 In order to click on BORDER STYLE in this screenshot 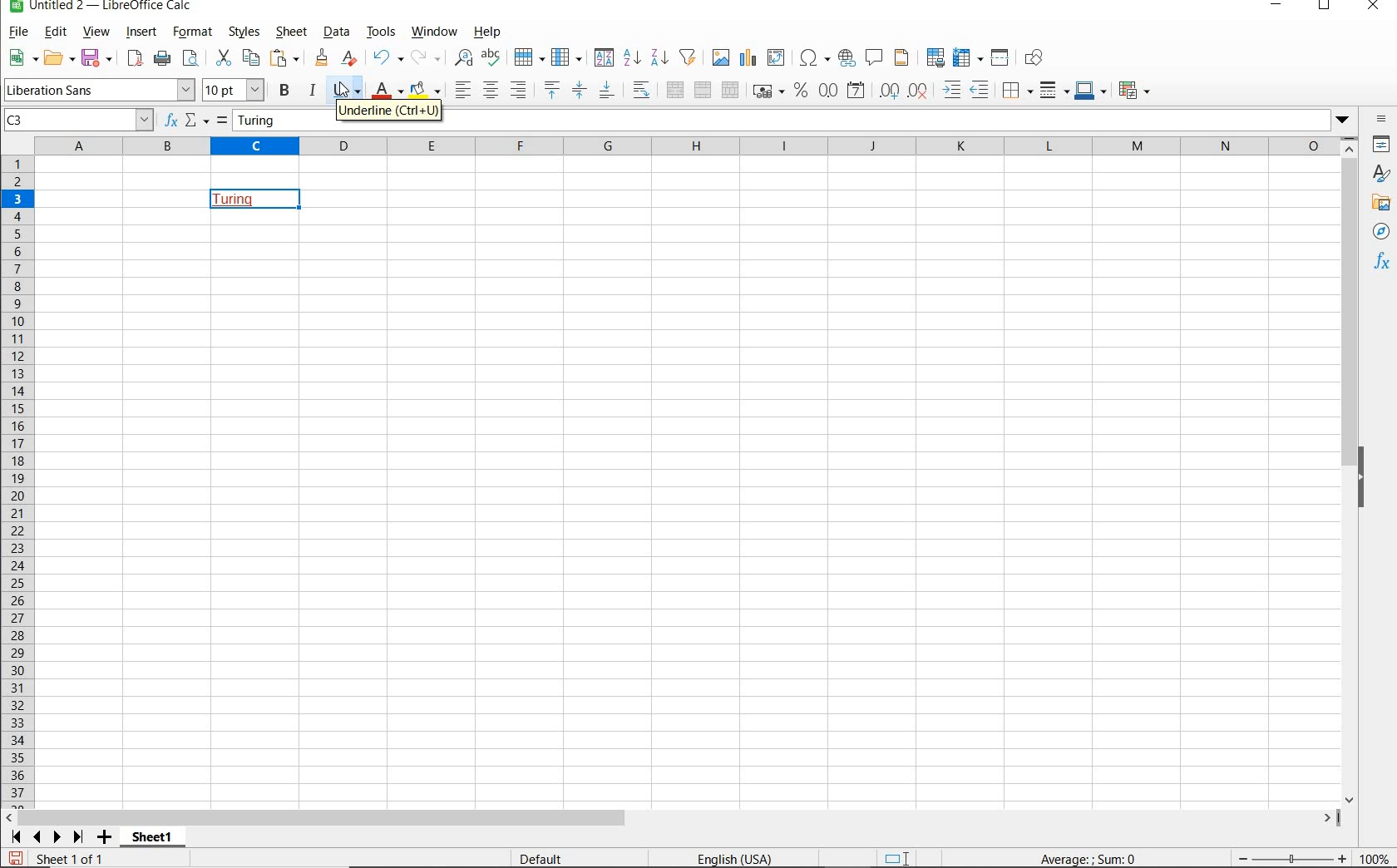, I will do `click(1054, 91)`.